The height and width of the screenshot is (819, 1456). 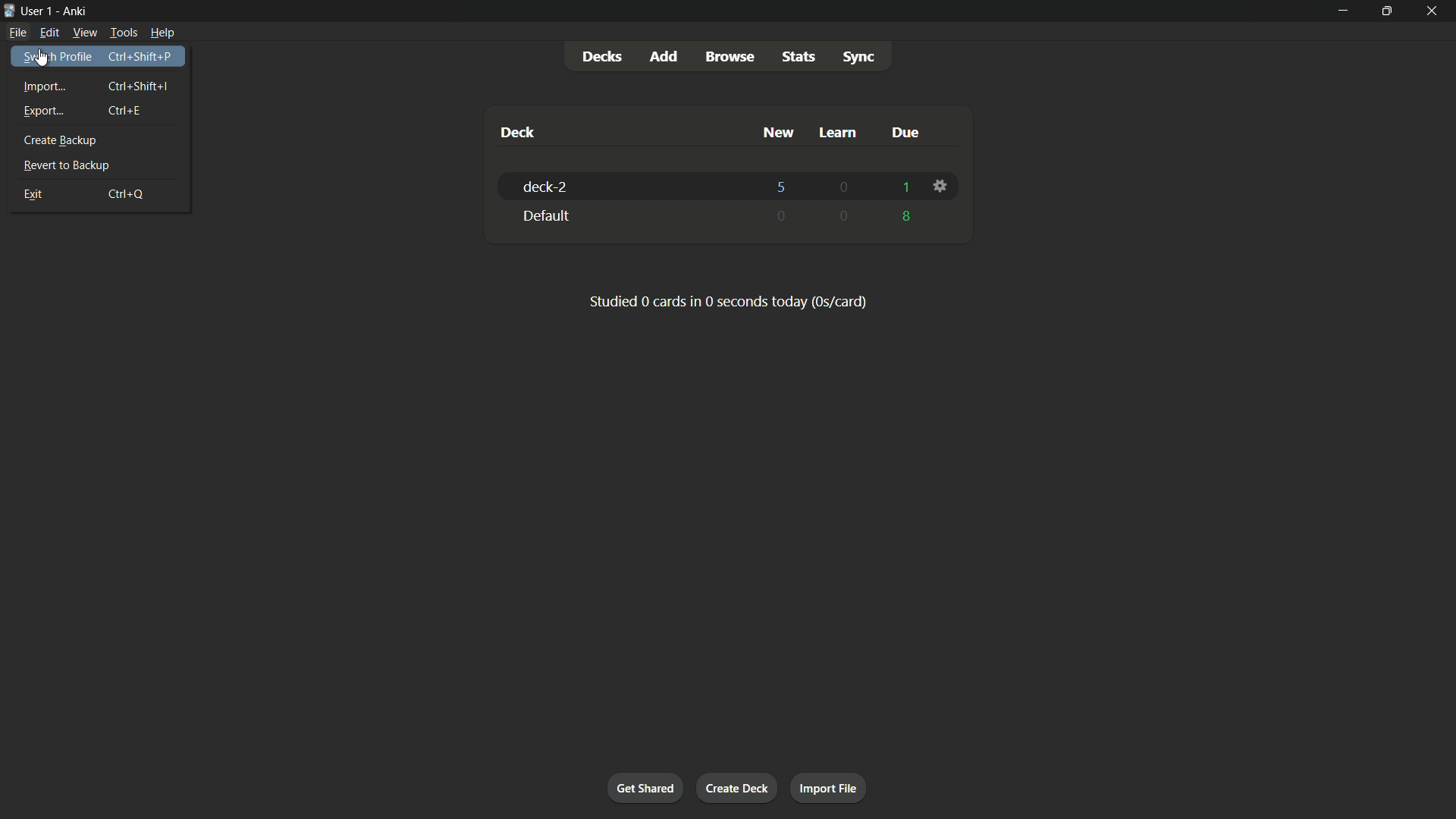 I want to click on Edit, so click(x=49, y=32).